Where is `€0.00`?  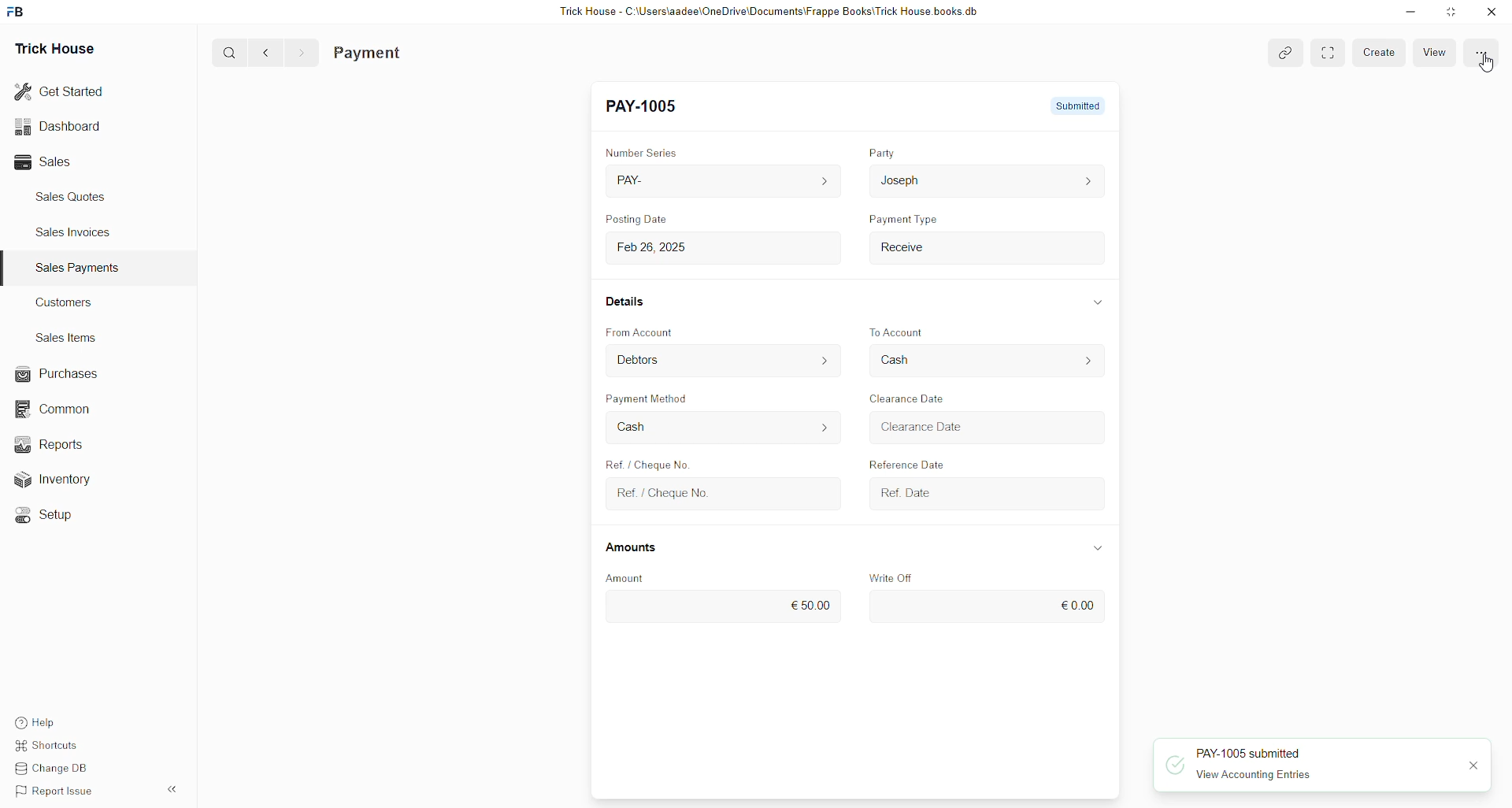
€0.00 is located at coordinates (982, 606).